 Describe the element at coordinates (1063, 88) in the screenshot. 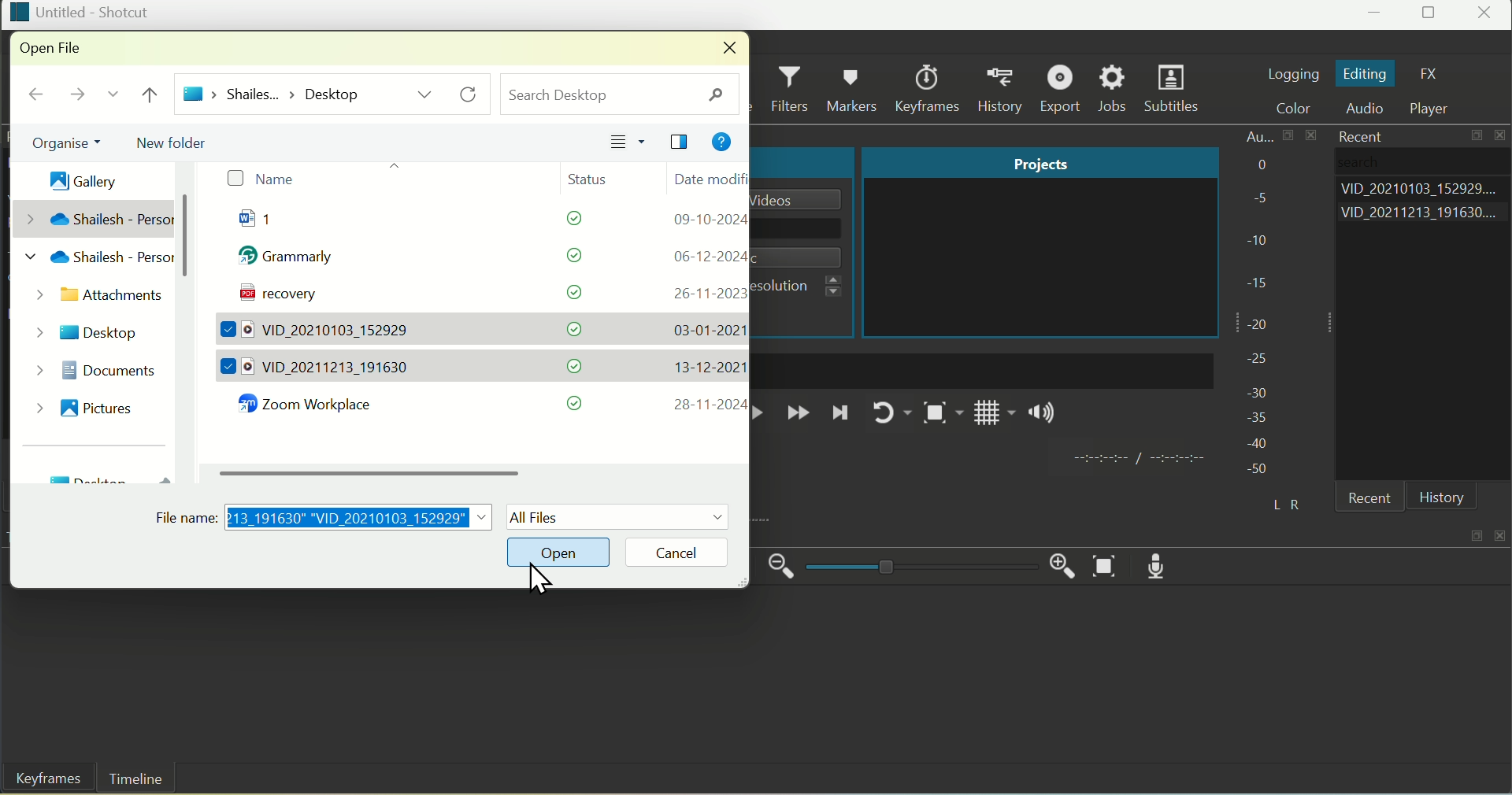

I see `Export` at that location.